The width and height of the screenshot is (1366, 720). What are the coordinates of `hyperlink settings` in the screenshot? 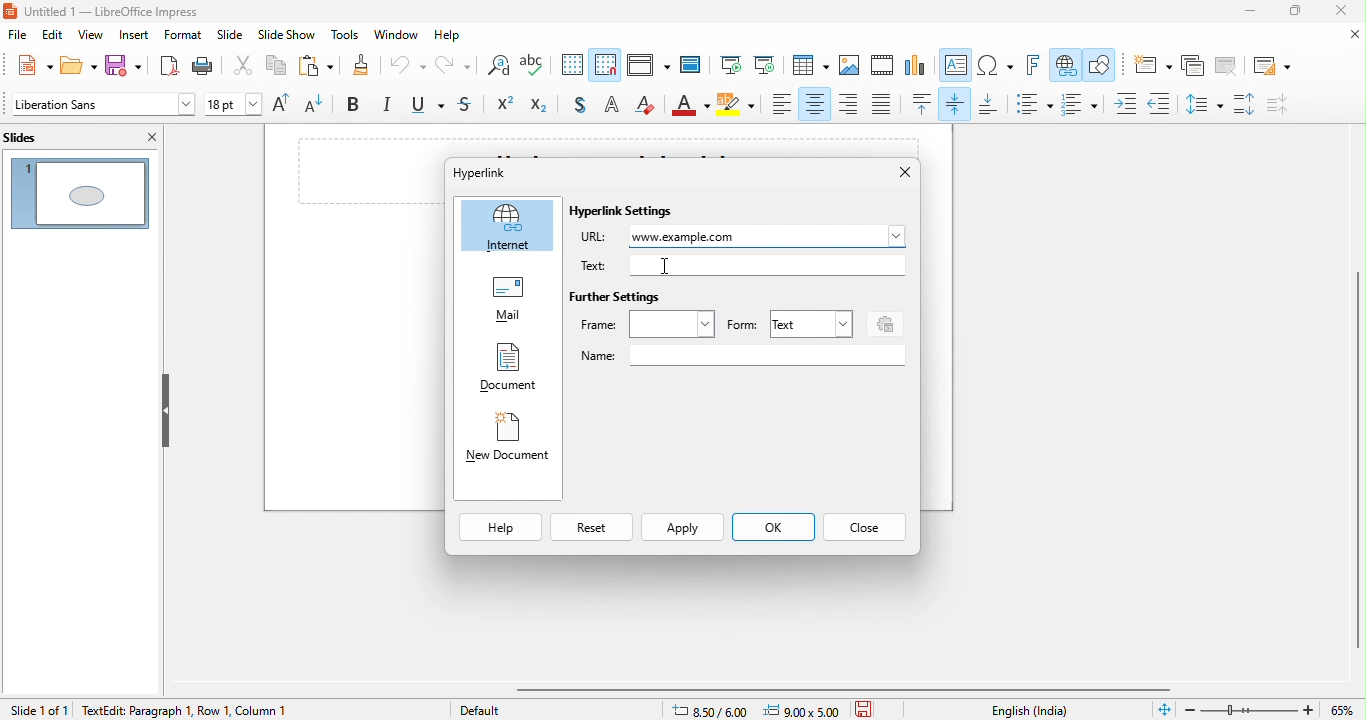 It's located at (626, 212).